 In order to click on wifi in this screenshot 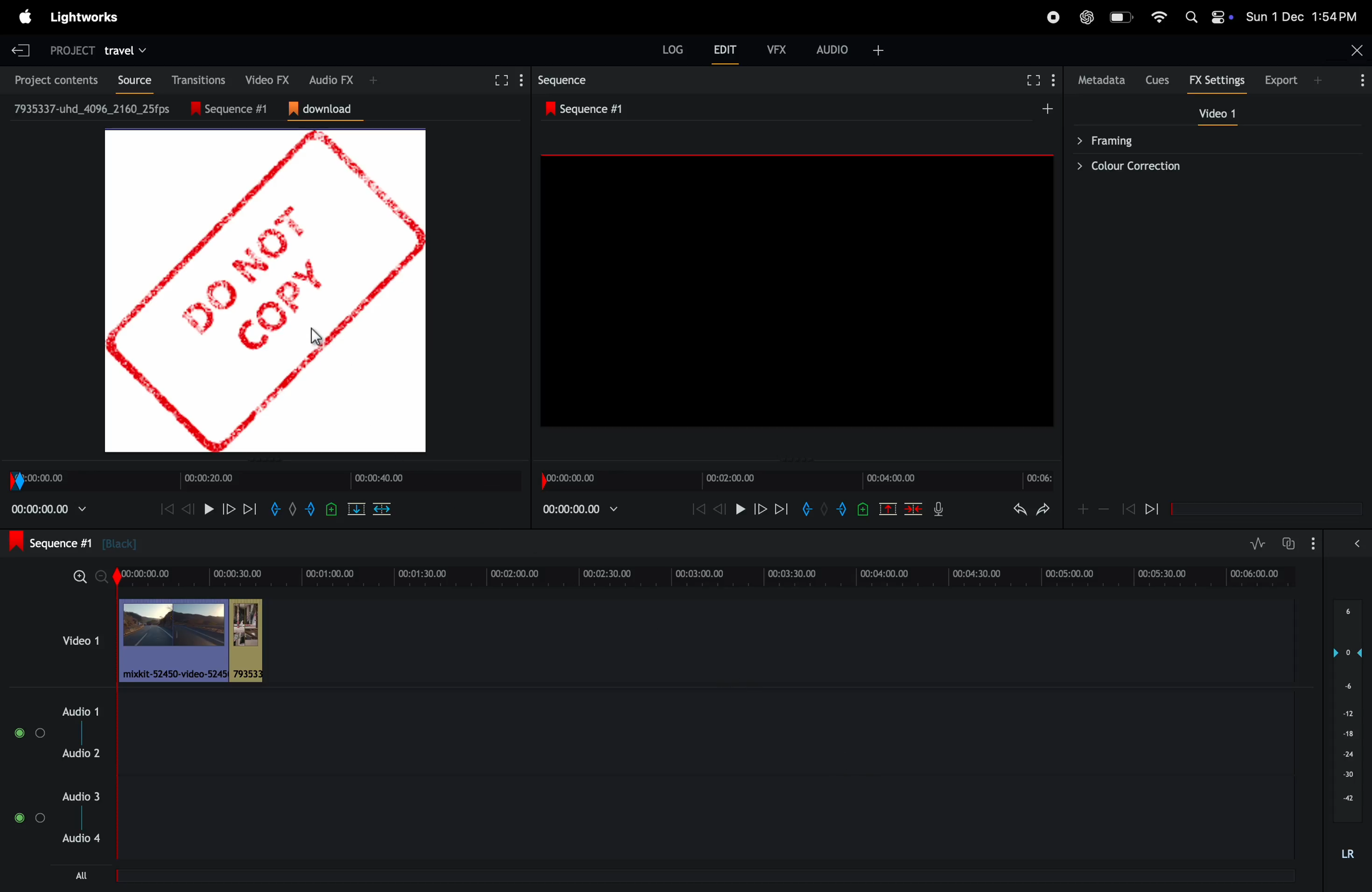, I will do `click(1159, 17)`.